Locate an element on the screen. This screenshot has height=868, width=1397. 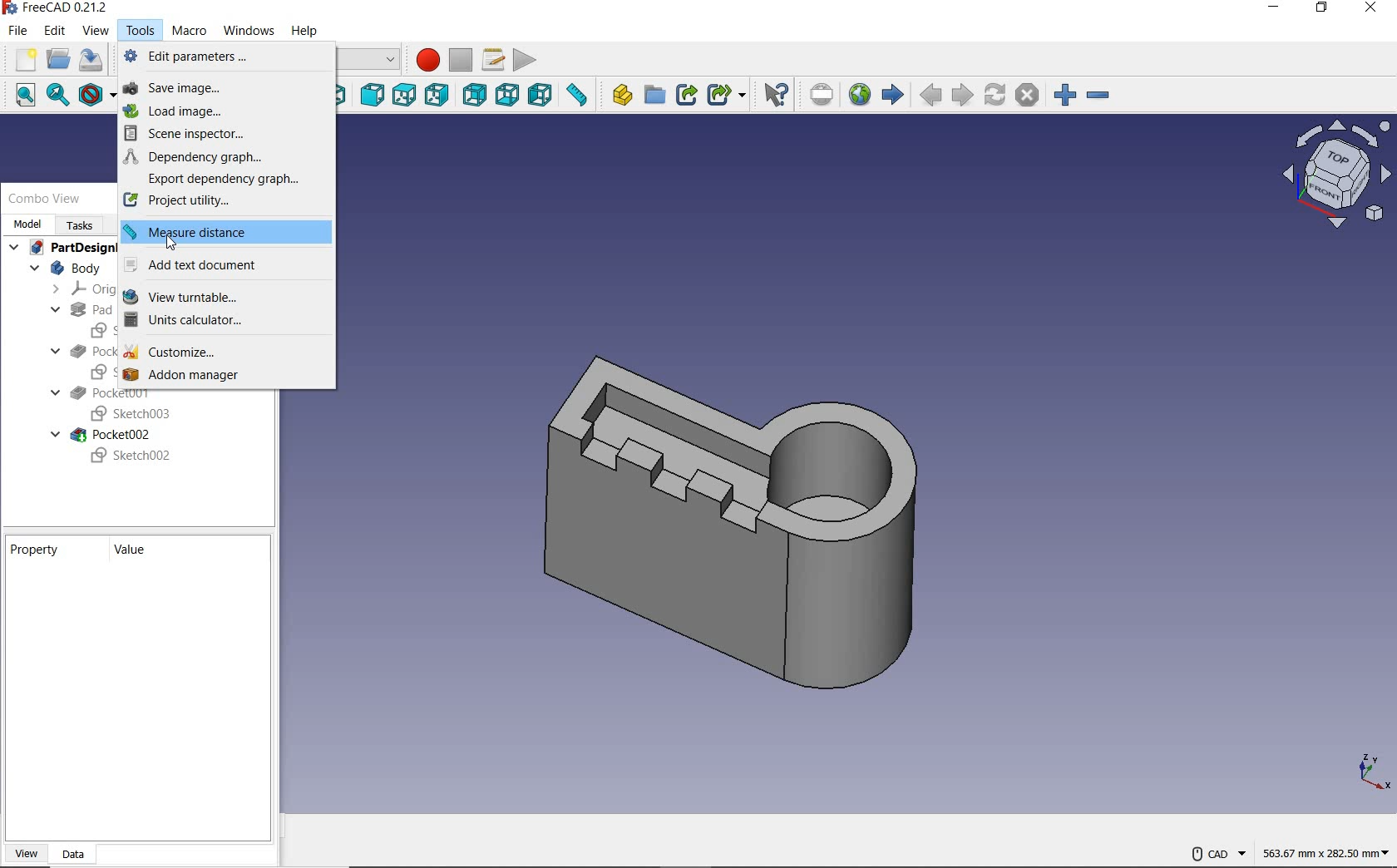
LOAD IMAGE is located at coordinates (221, 111).